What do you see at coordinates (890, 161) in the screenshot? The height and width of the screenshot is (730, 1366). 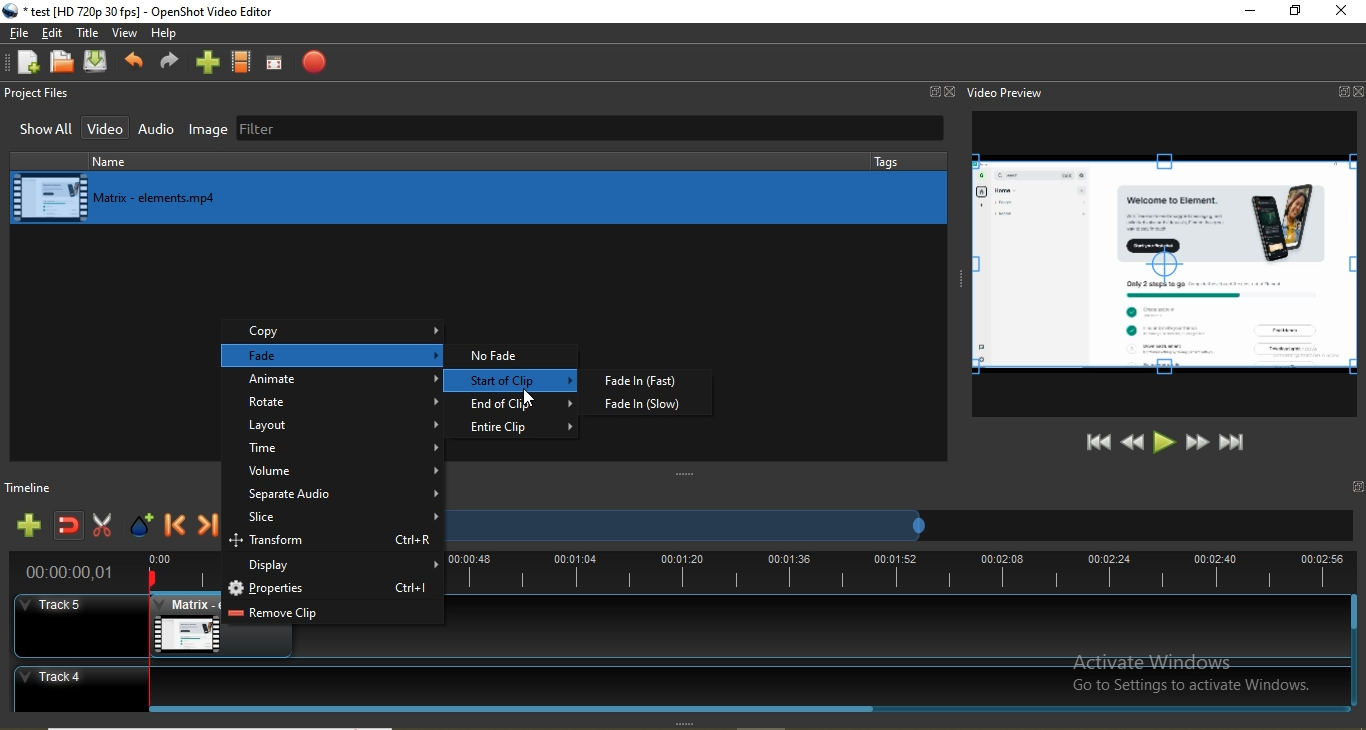 I see `tags` at bounding box center [890, 161].